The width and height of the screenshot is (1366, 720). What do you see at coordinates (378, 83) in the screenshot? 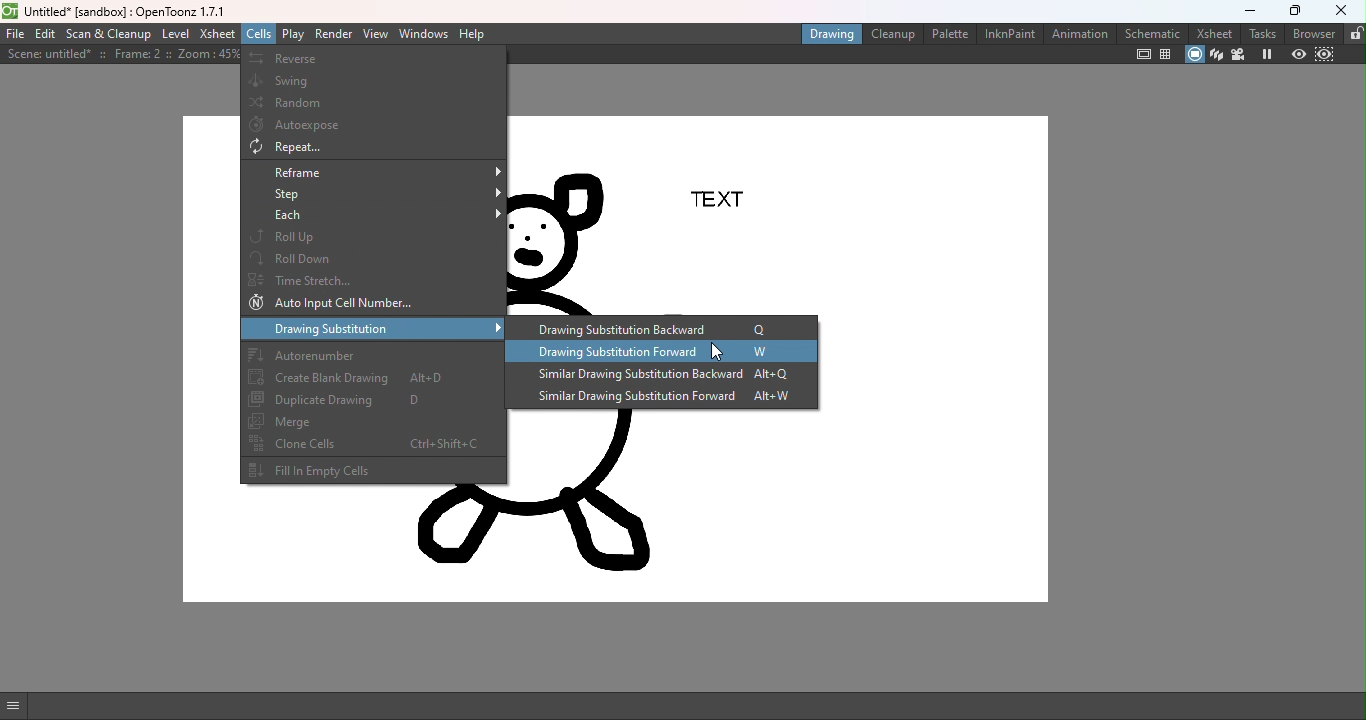
I see `Swing` at bounding box center [378, 83].